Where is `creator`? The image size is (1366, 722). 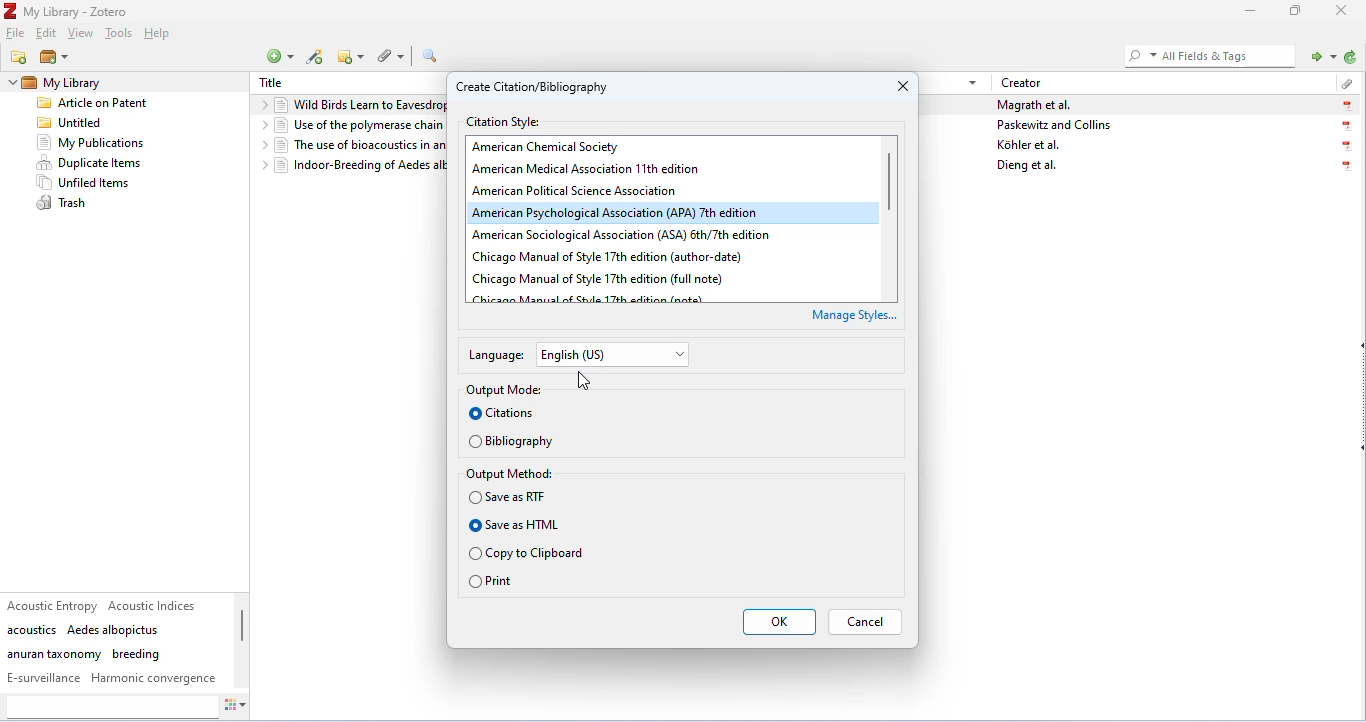 creator is located at coordinates (1023, 82).